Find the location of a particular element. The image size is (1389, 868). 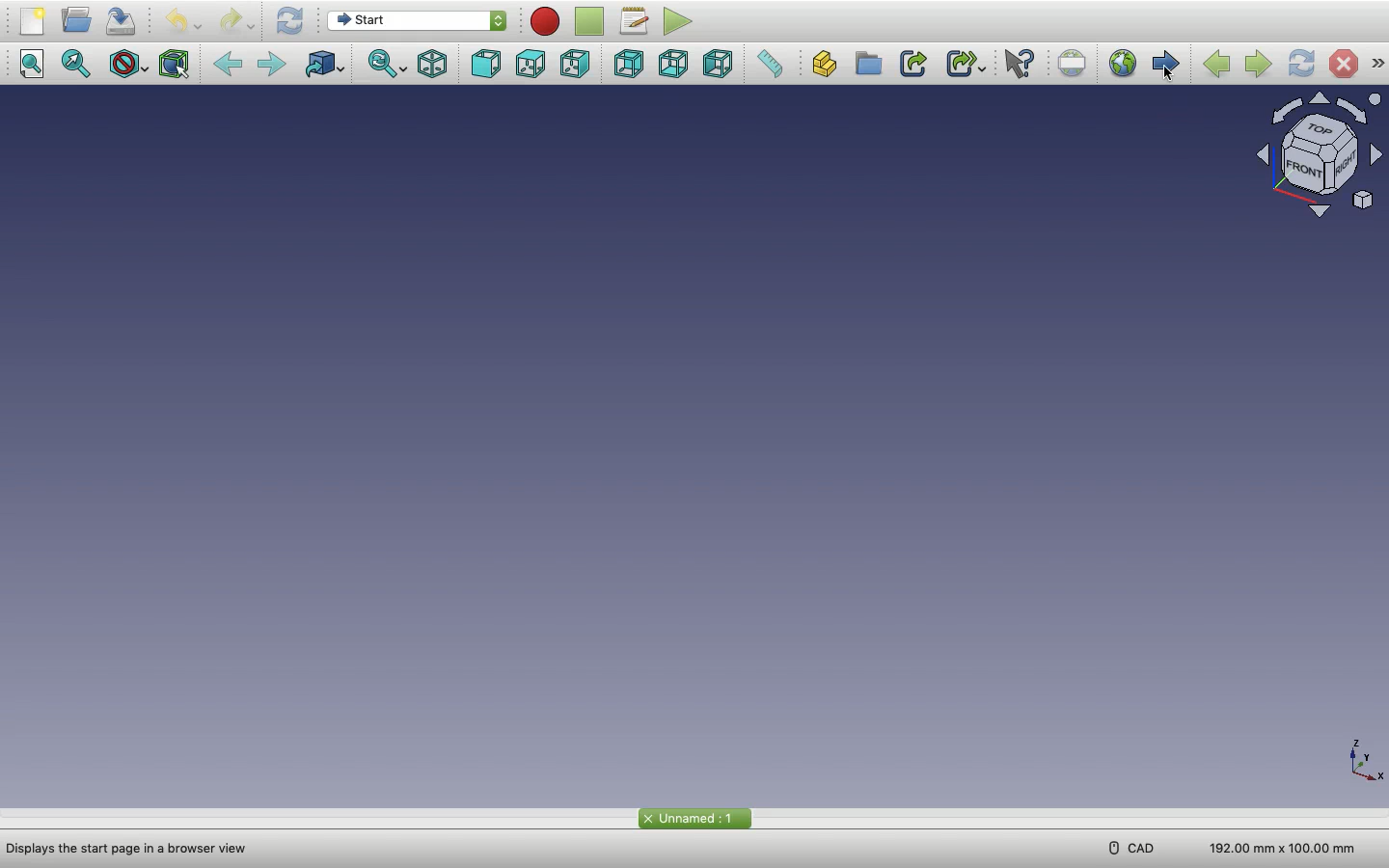

Isometric is located at coordinates (434, 66).